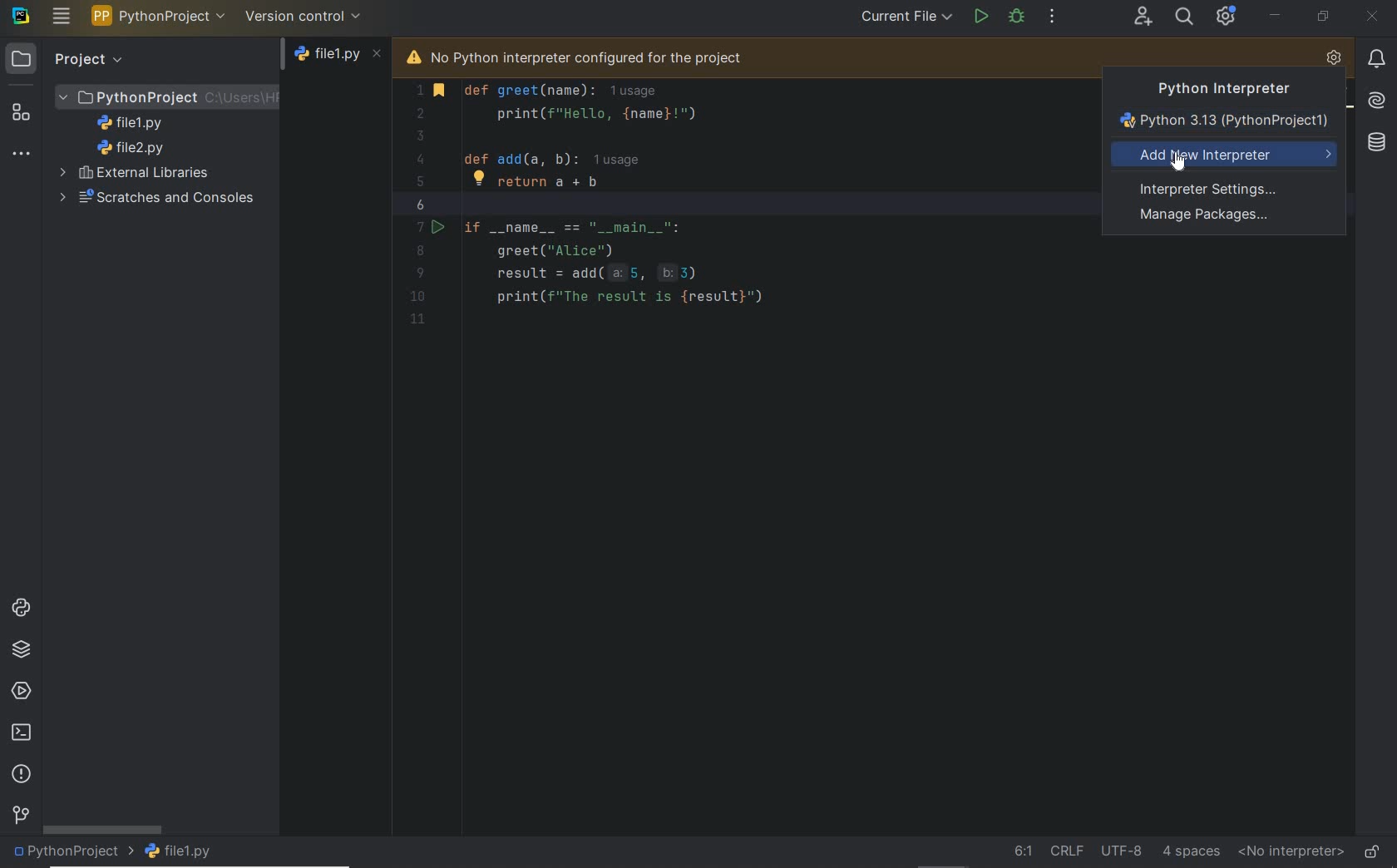 Image resolution: width=1397 pixels, height=868 pixels. I want to click on No python interpreter configured for the project, so click(600, 56).